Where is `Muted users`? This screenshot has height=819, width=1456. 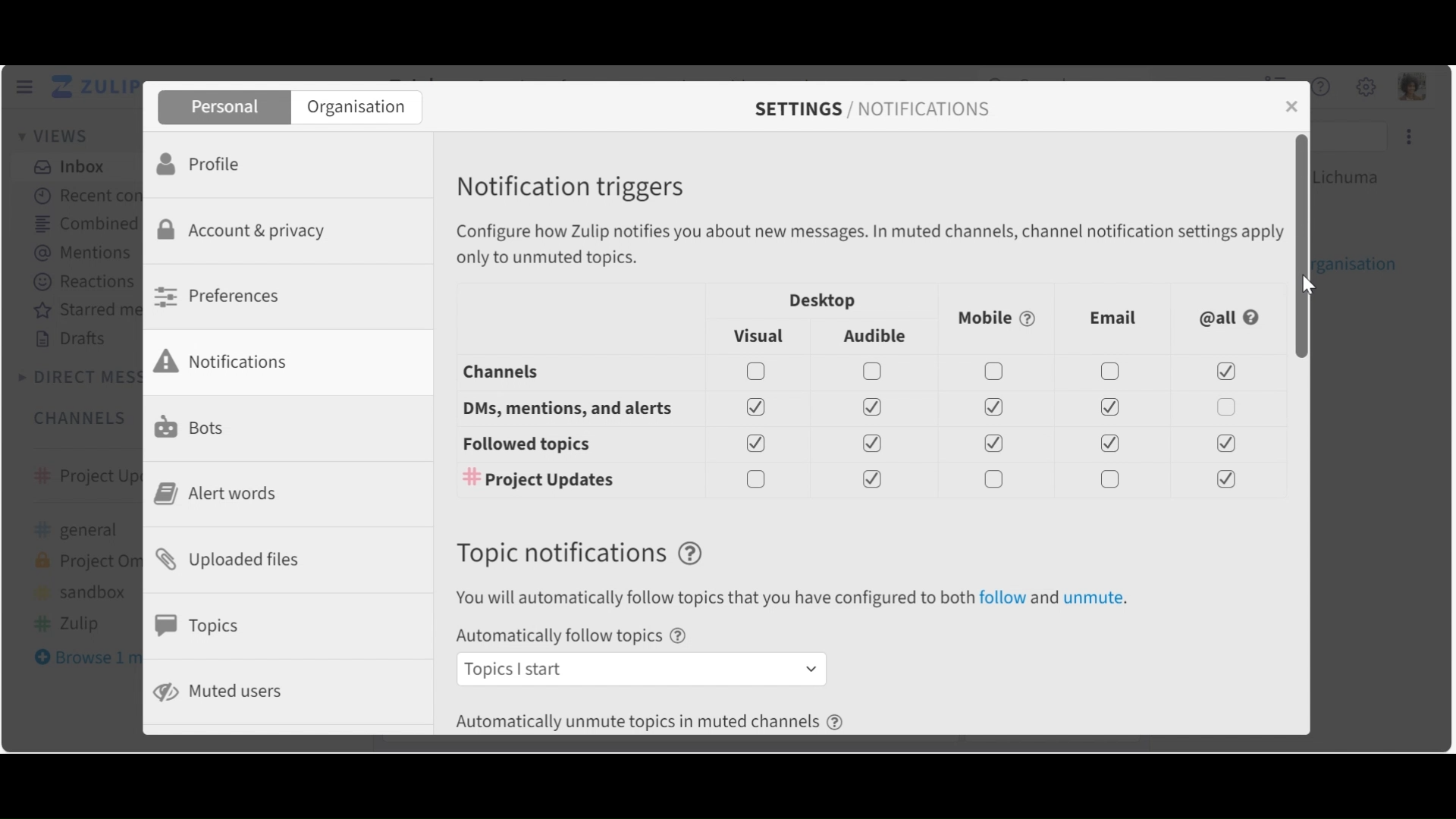
Muted users is located at coordinates (221, 692).